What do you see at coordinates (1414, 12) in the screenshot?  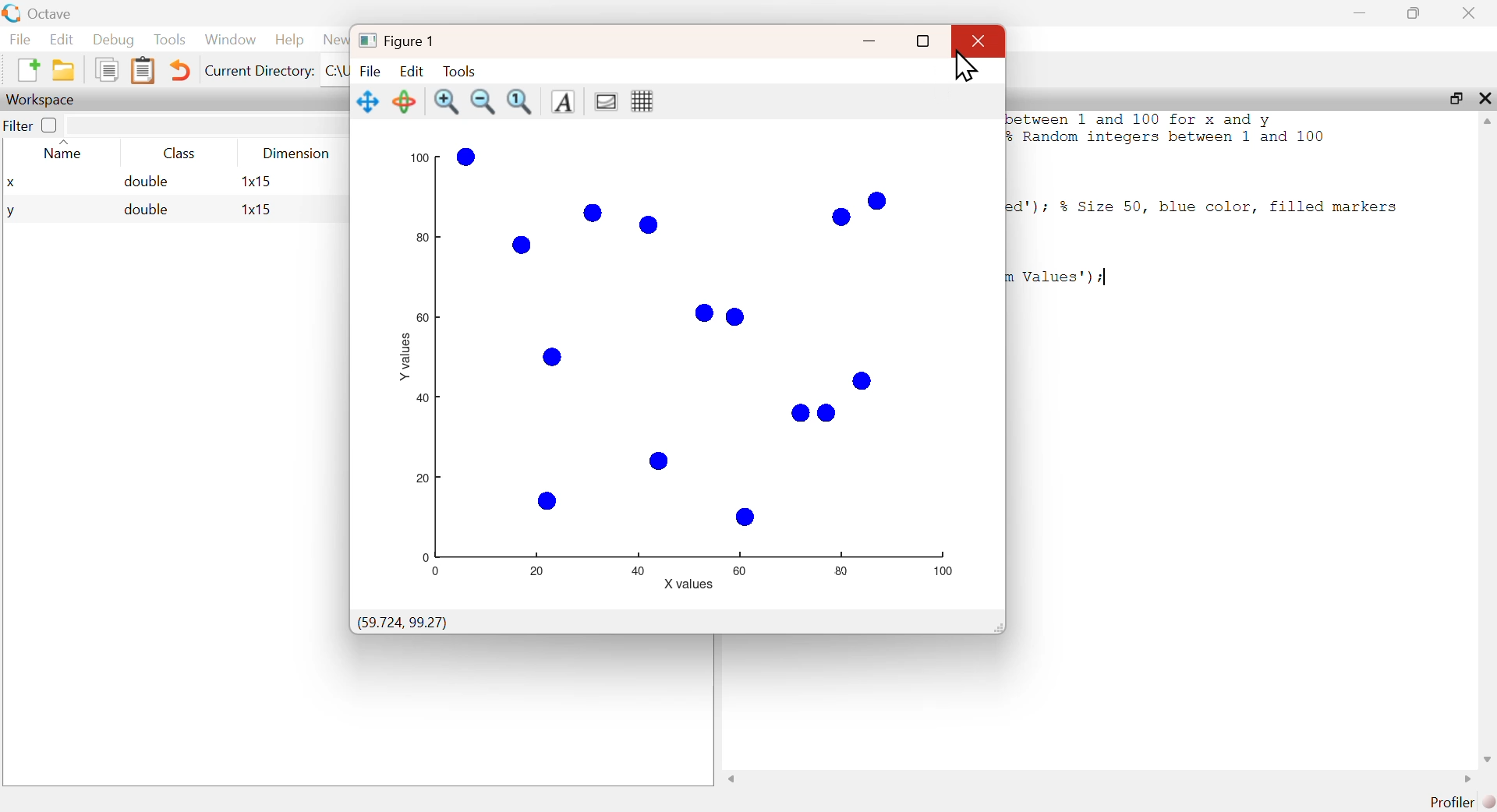 I see `maximize` at bounding box center [1414, 12].